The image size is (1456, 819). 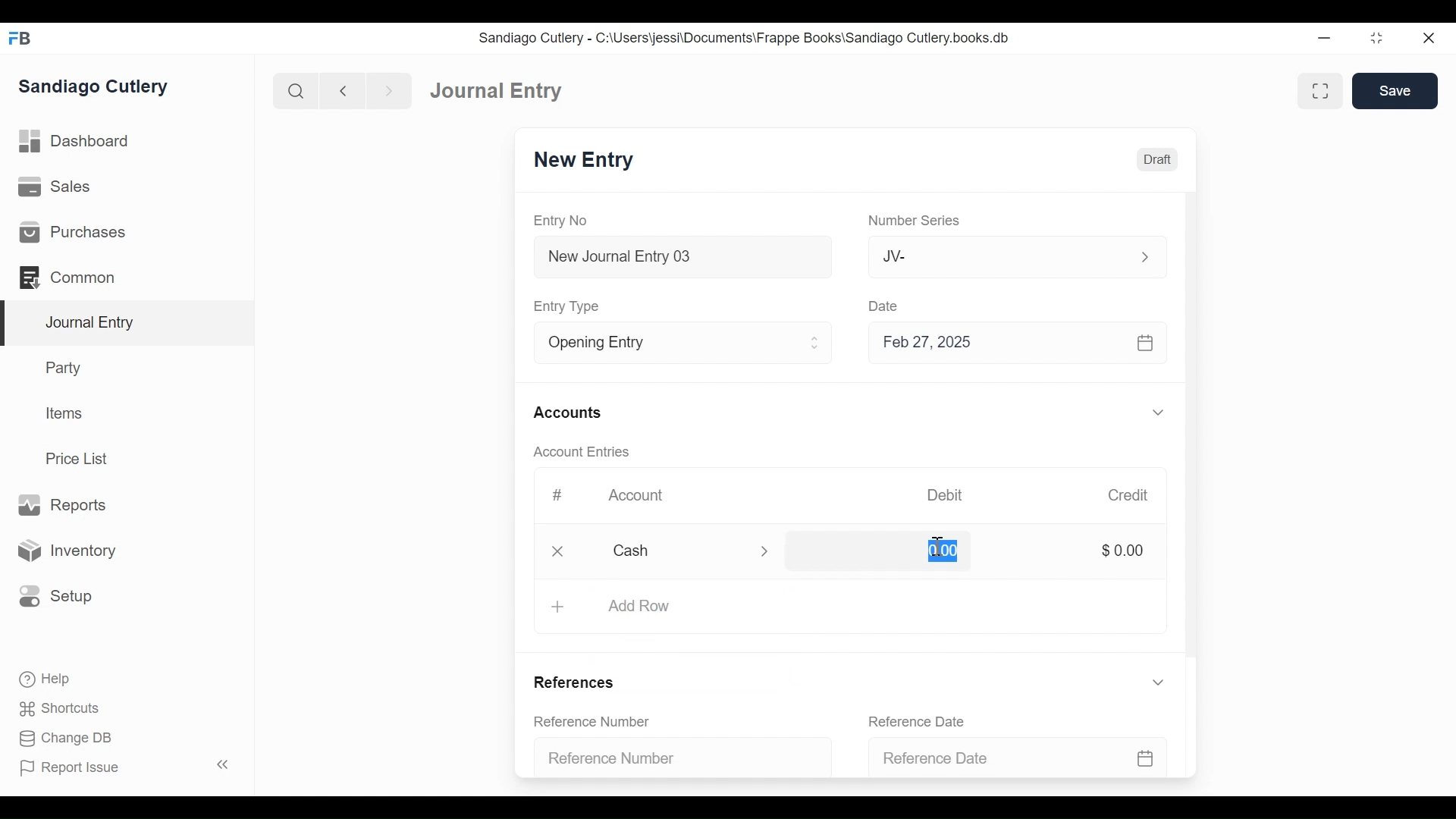 What do you see at coordinates (1427, 38) in the screenshot?
I see `Close` at bounding box center [1427, 38].